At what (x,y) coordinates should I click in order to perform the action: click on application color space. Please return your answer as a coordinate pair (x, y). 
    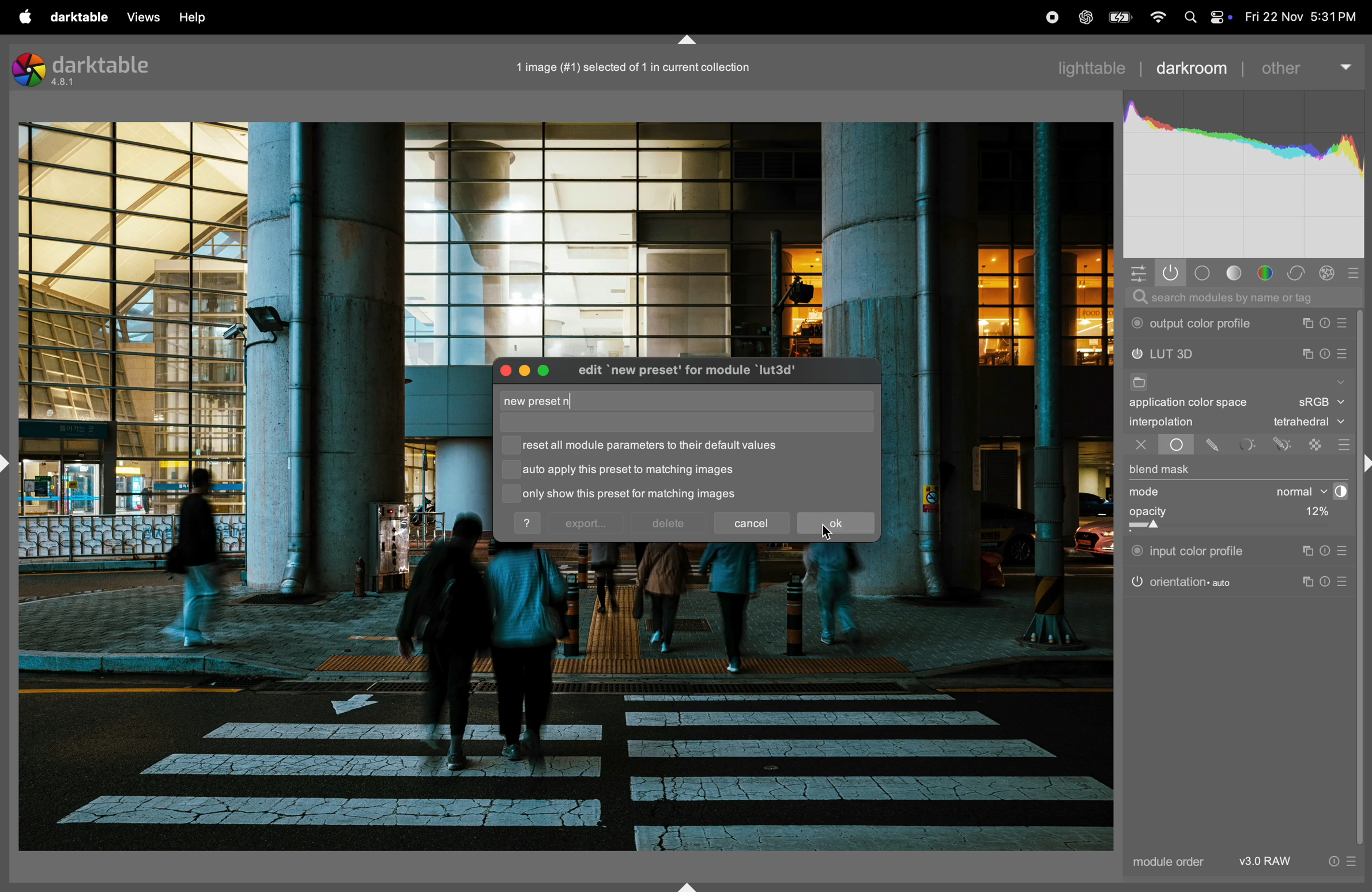
    Looking at the image, I should click on (1198, 405).